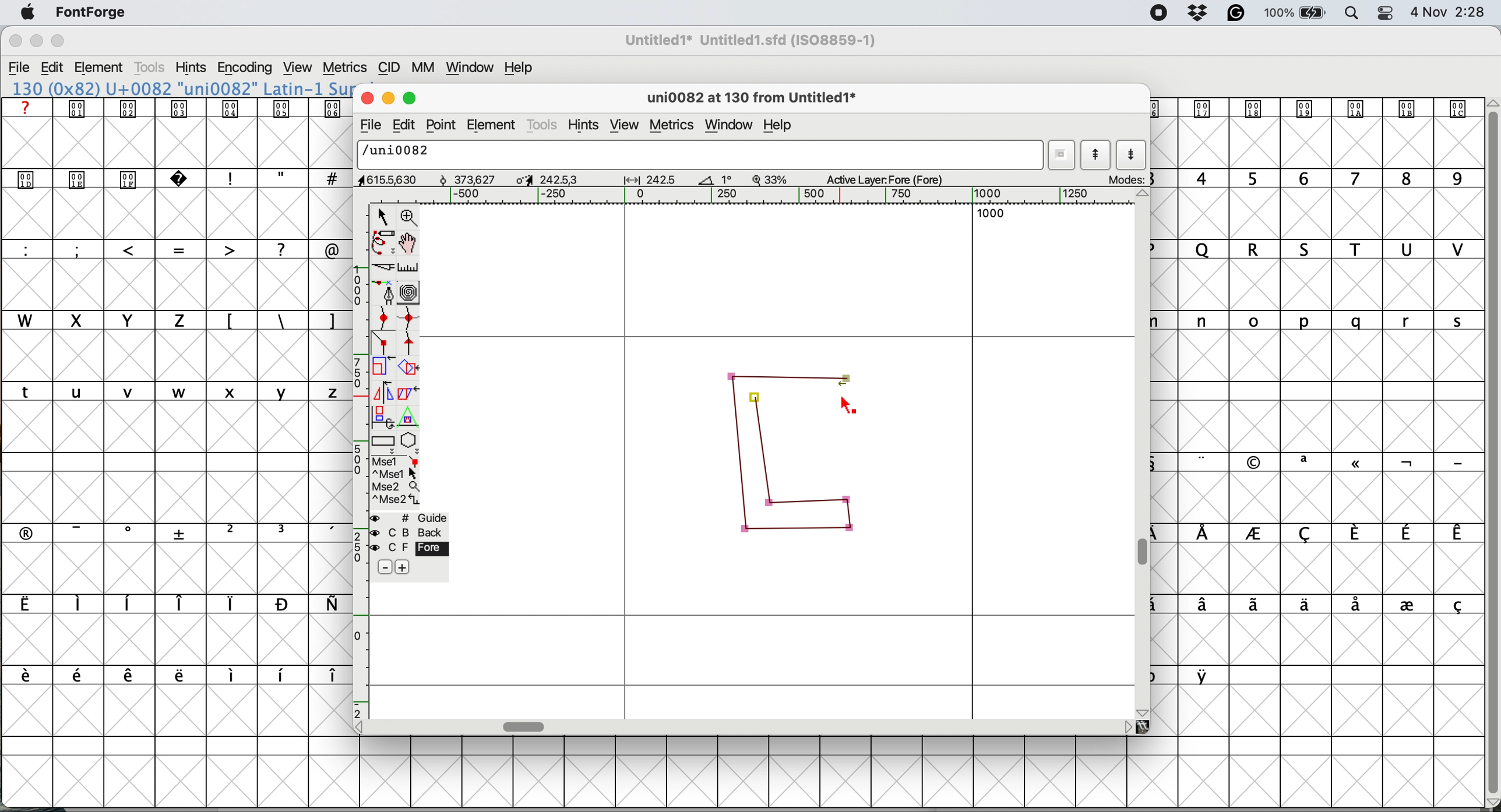 This screenshot has width=1501, height=812. What do you see at coordinates (526, 726) in the screenshot?
I see `horizontal scroll bar` at bounding box center [526, 726].